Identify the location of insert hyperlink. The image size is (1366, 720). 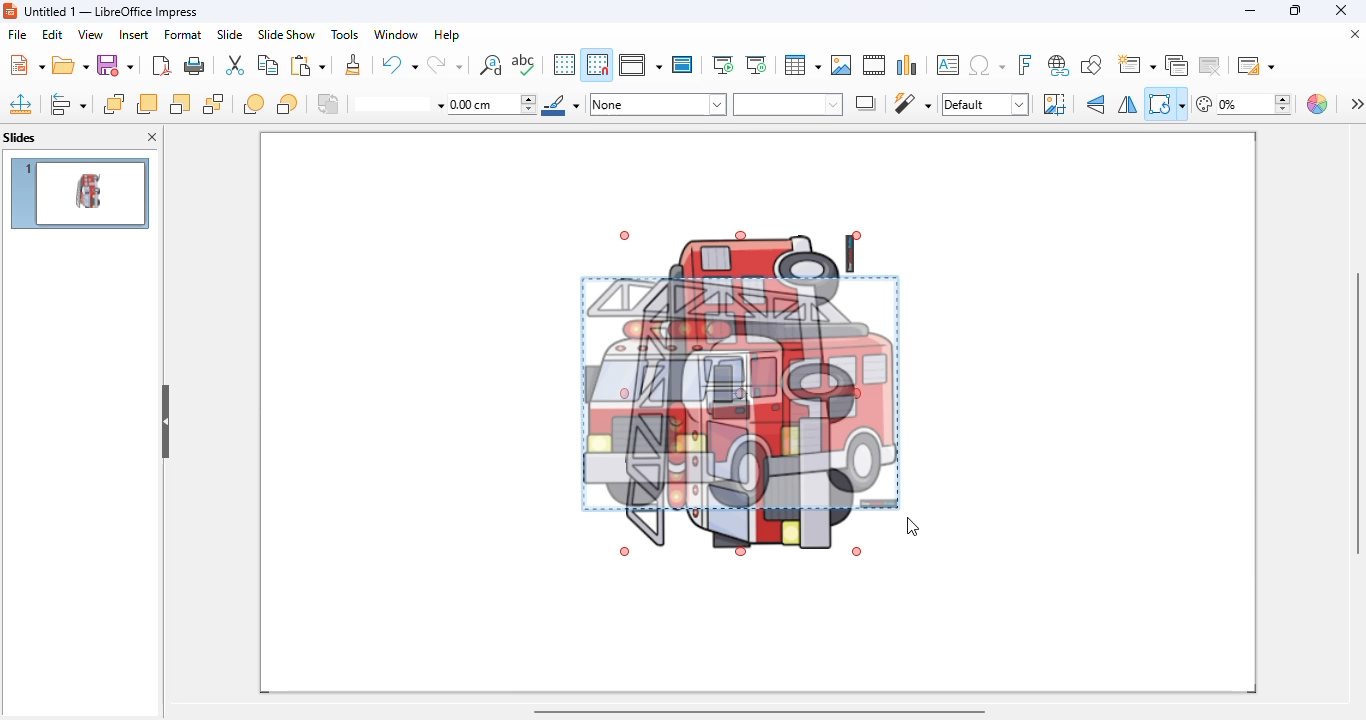
(1059, 65).